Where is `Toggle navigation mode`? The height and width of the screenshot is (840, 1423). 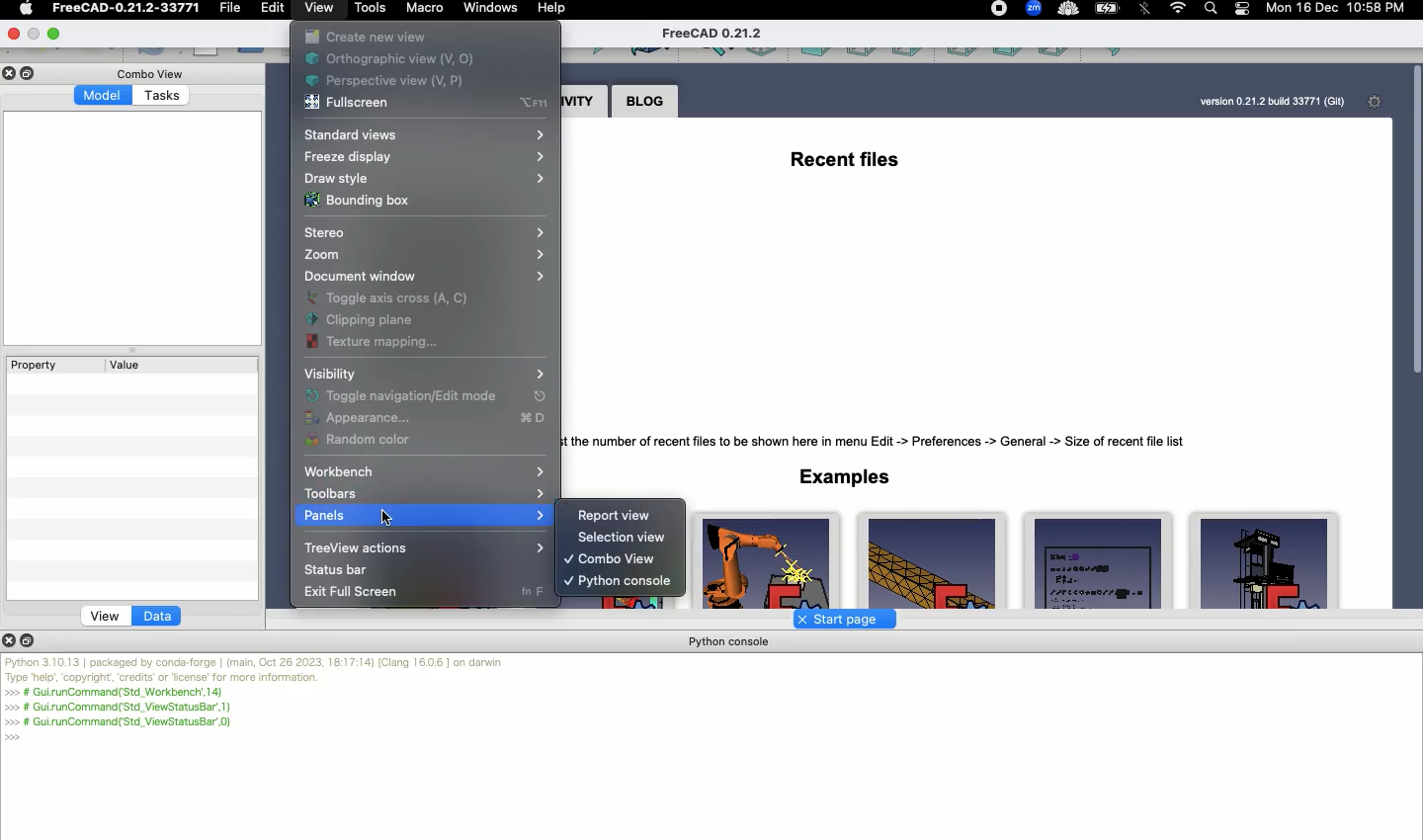
Toggle navigation mode is located at coordinates (423, 397).